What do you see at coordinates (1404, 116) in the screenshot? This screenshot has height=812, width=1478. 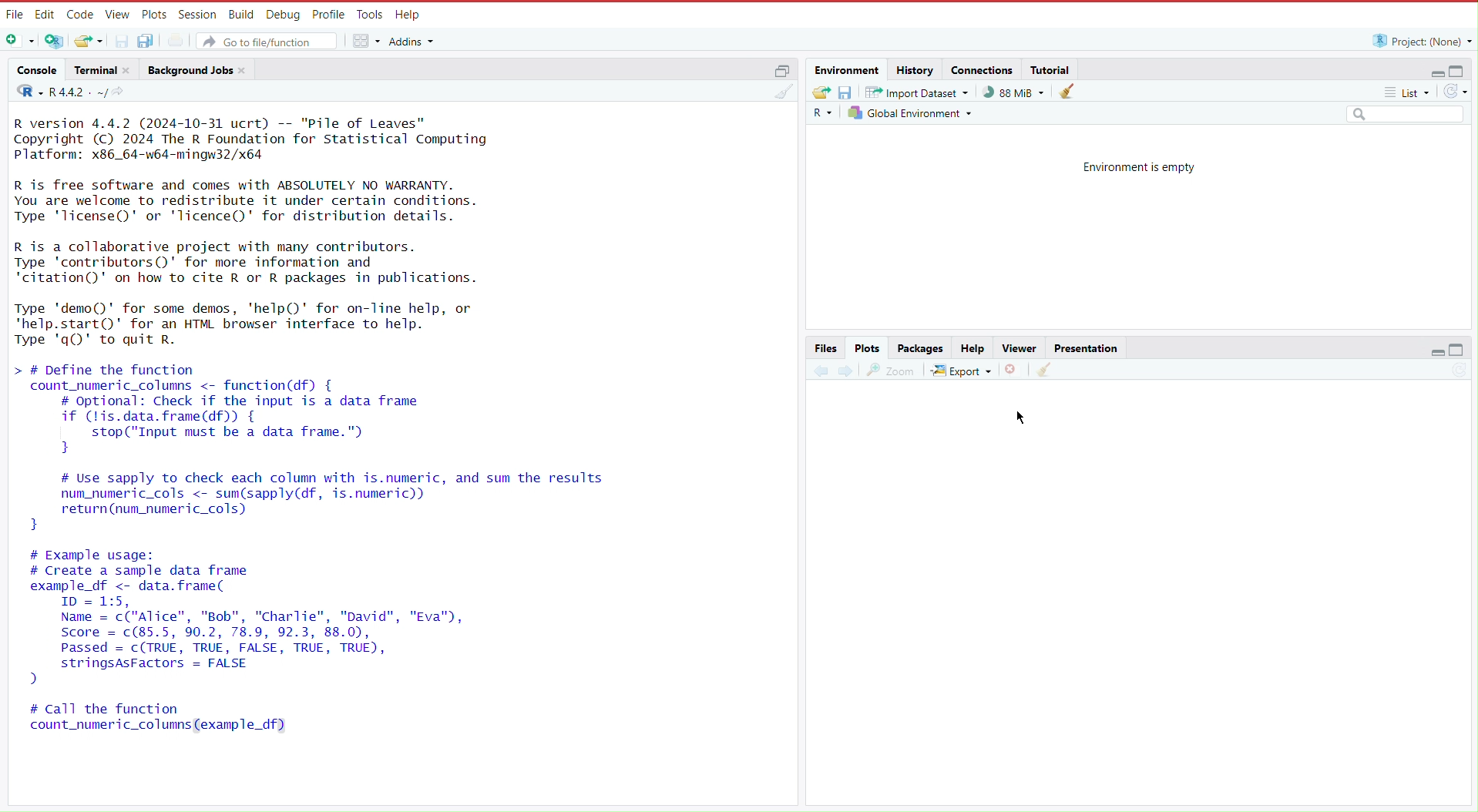 I see `` at bounding box center [1404, 116].